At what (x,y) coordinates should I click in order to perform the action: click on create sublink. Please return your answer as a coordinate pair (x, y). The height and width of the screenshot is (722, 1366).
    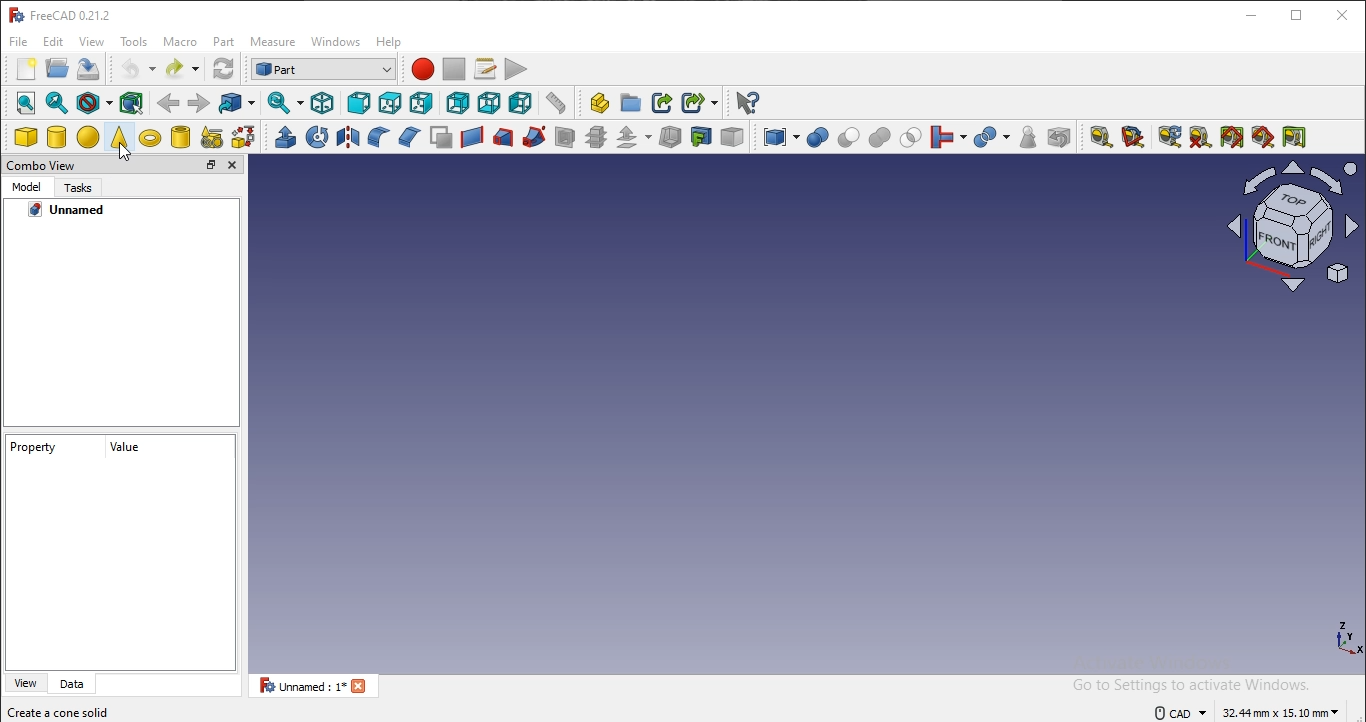
    Looking at the image, I should click on (693, 101).